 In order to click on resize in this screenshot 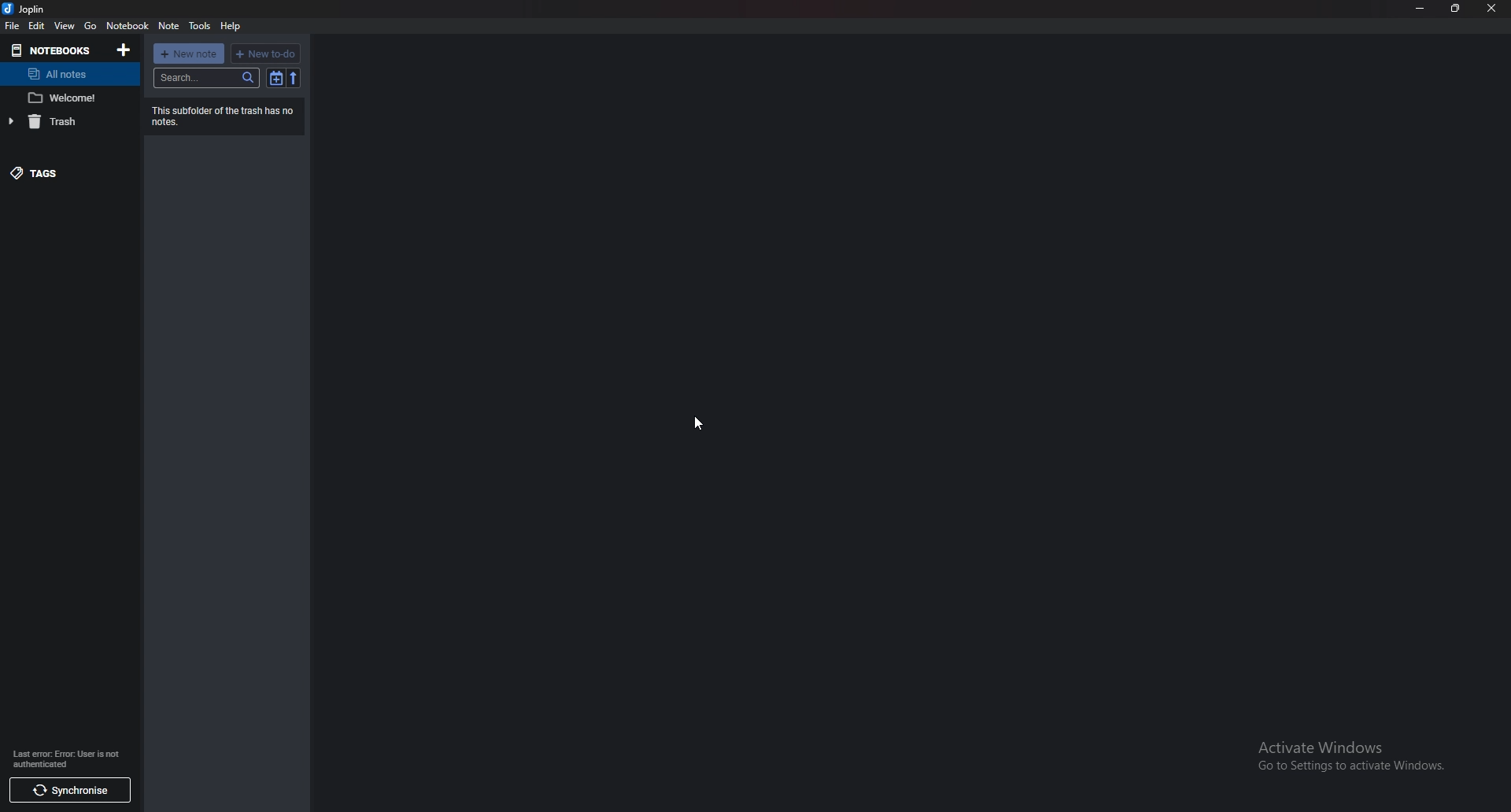, I will do `click(1454, 8)`.